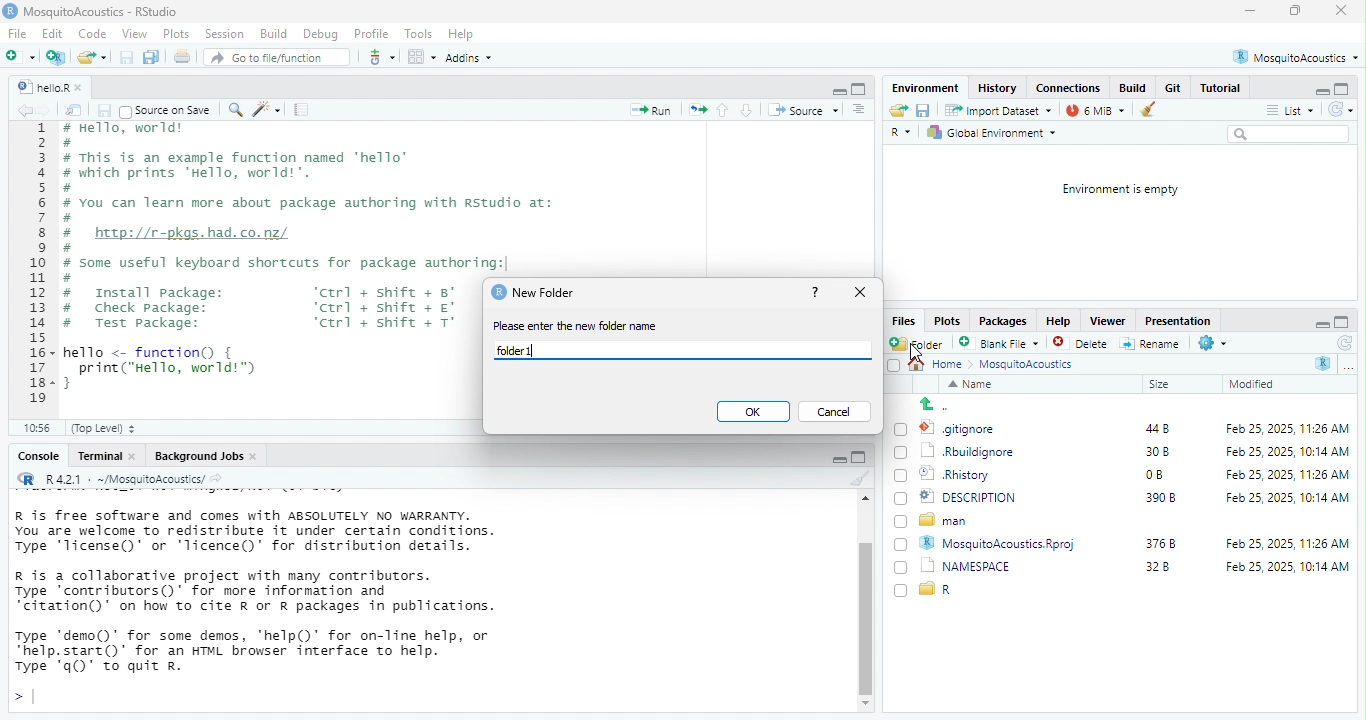 The width and height of the screenshot is (1366, 720). I want to click on checkbox, so click(903, 568).